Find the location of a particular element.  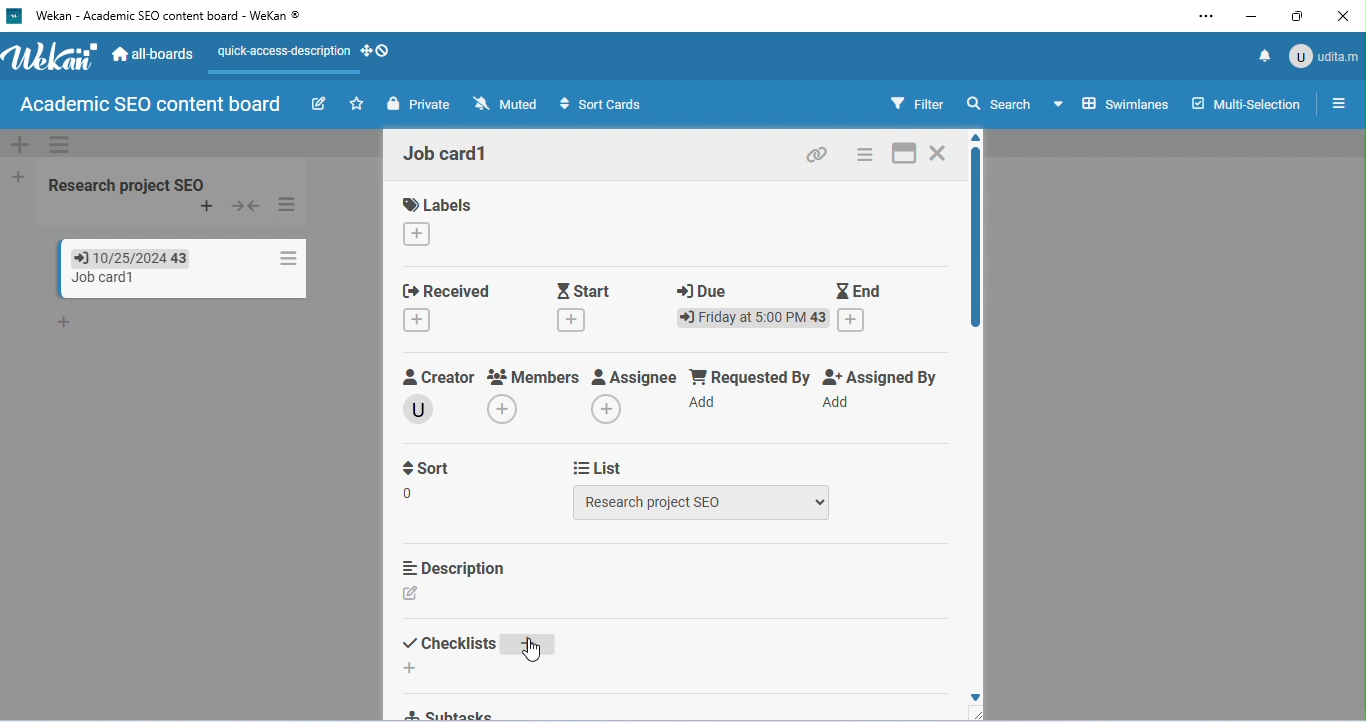

sort cards is located at coordinates (603, 105).